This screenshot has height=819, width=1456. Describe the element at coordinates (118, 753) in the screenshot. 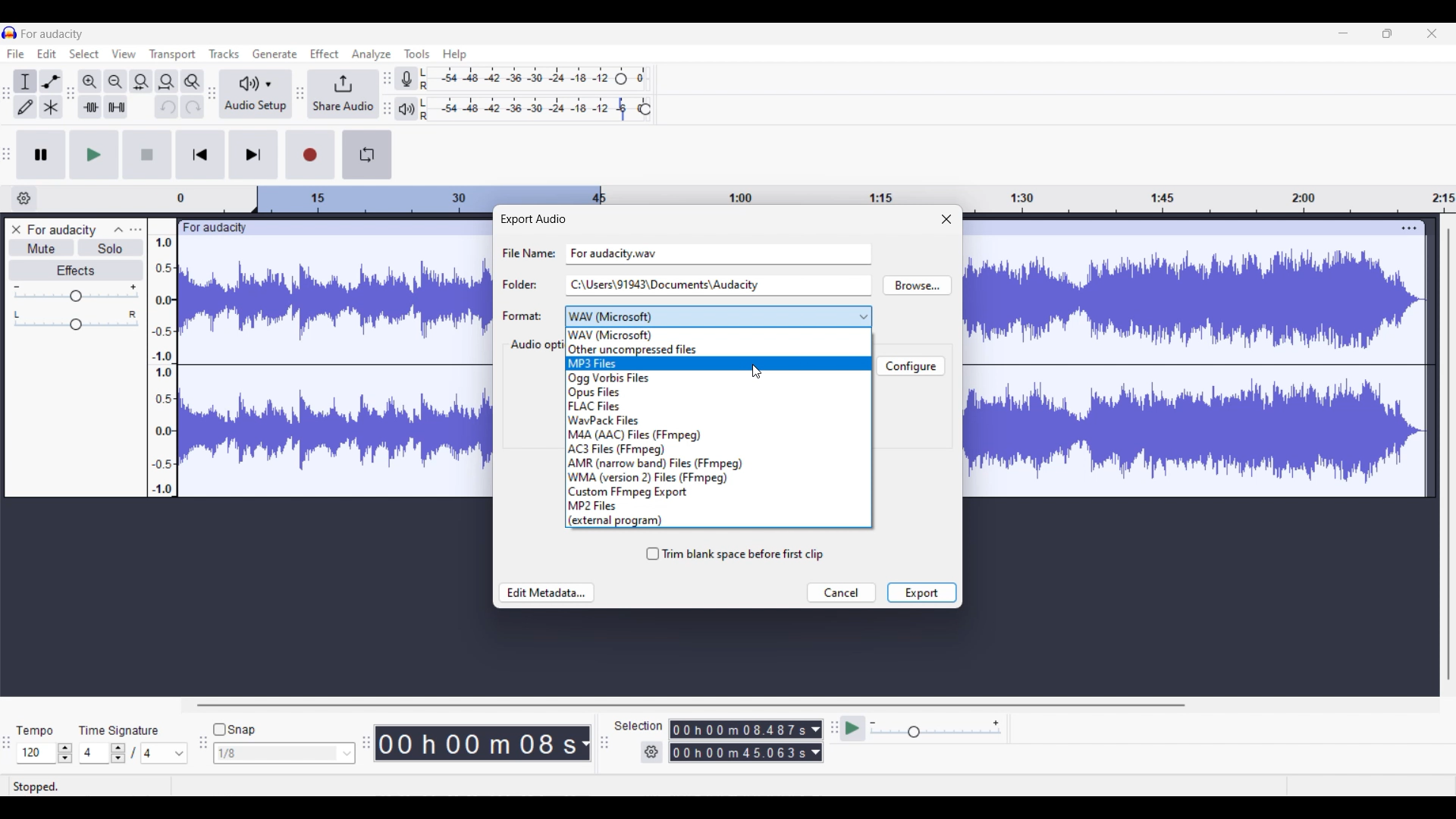

I see `Increase/Decrease number` at that location.